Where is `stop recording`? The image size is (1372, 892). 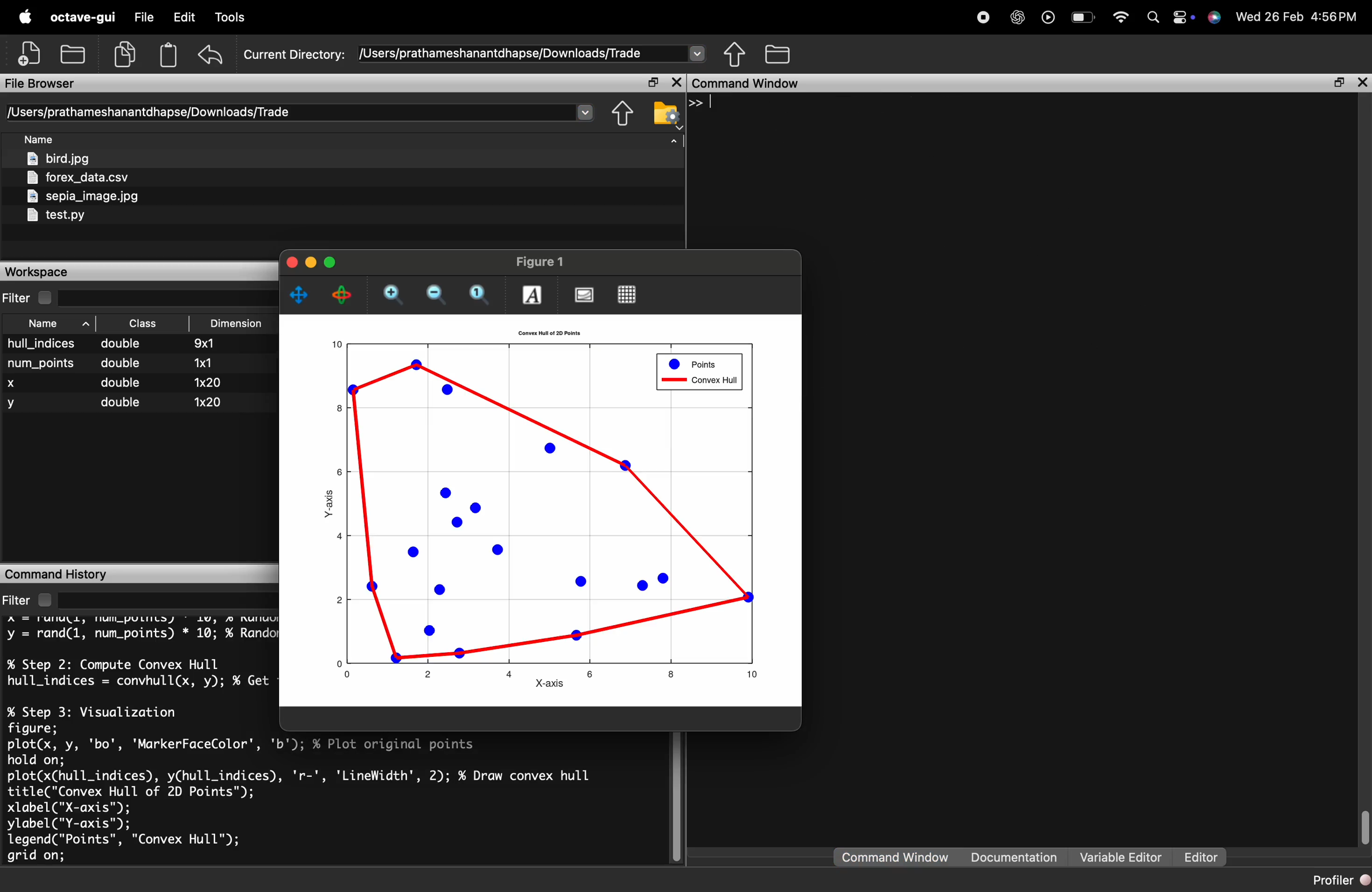 stop recording is located at coordinates (986, 16).